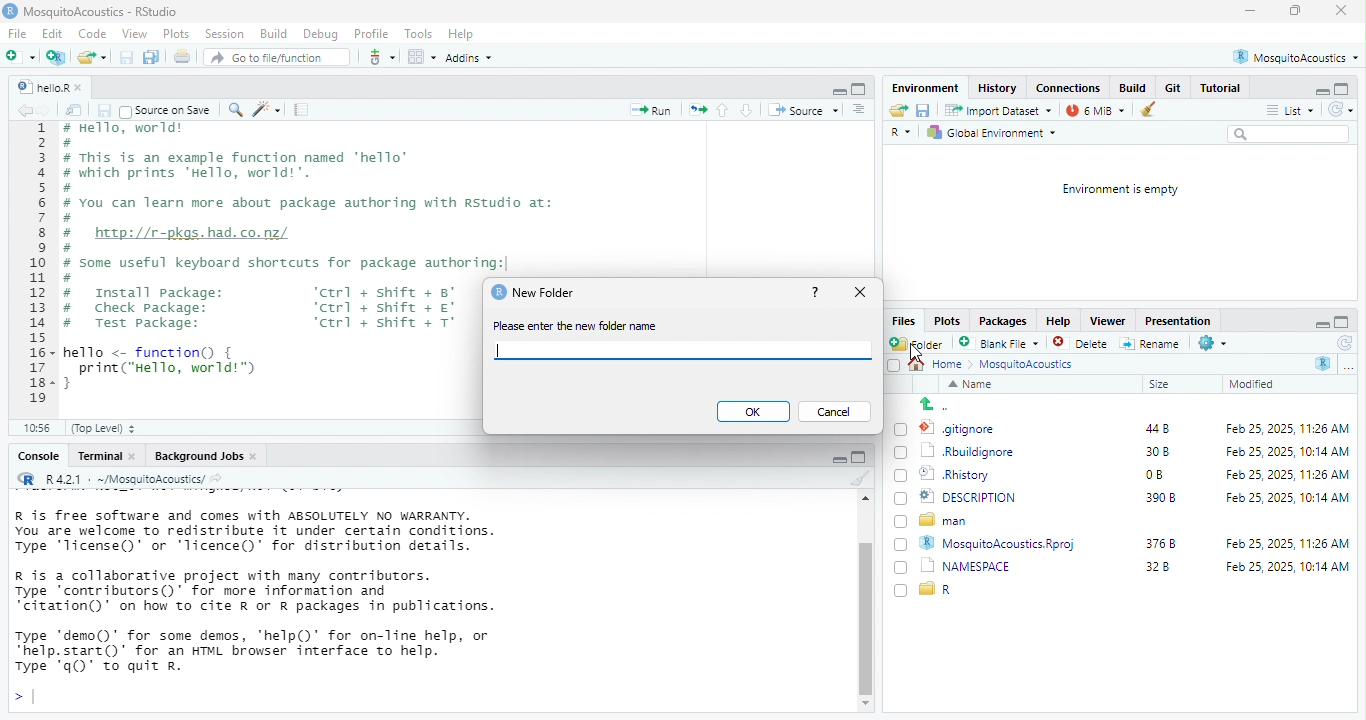  I want to click on show document outline, so click(861, 111).